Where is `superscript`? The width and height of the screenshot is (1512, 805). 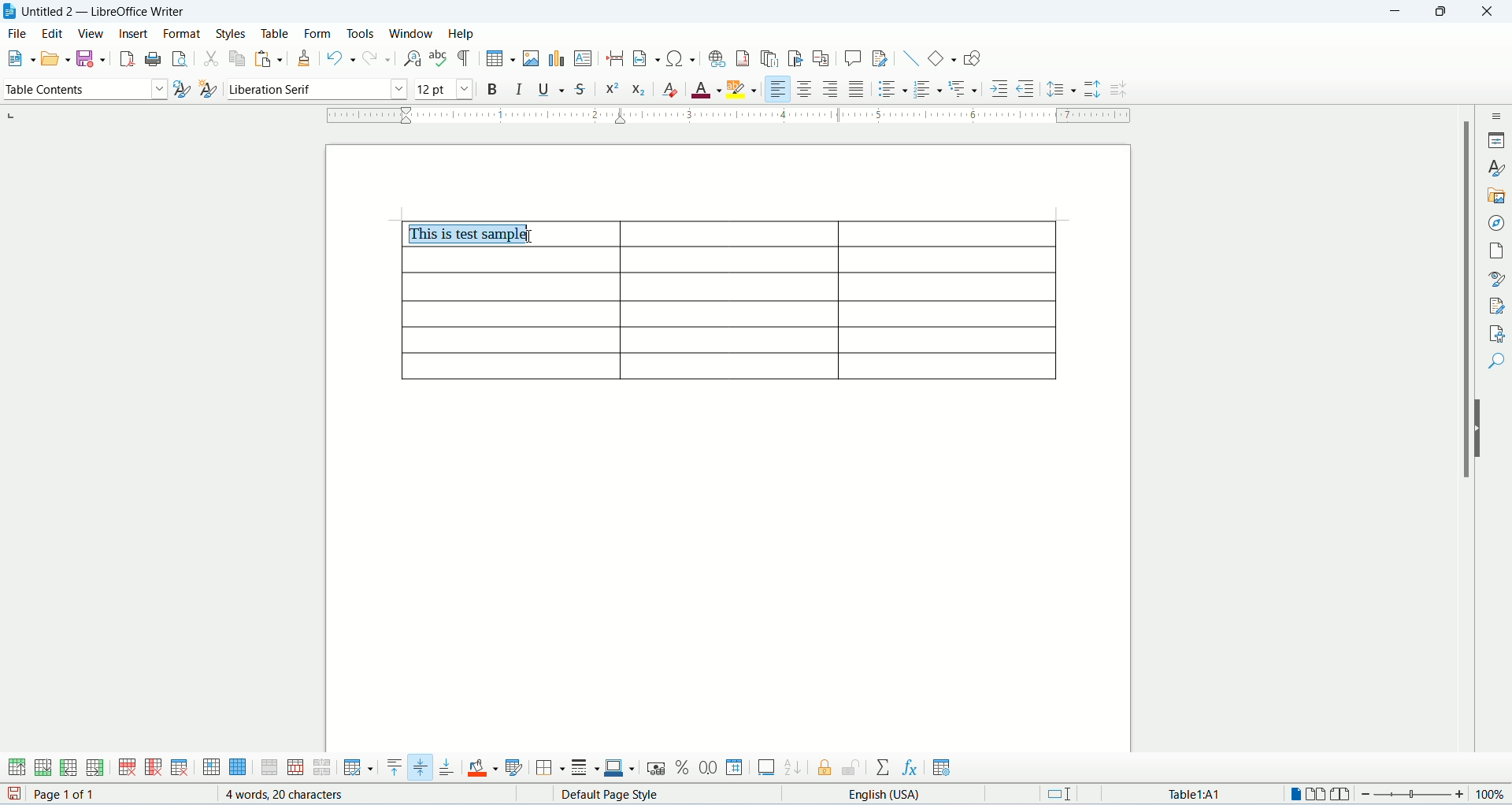
superscript is located at coordinates (613, 92).